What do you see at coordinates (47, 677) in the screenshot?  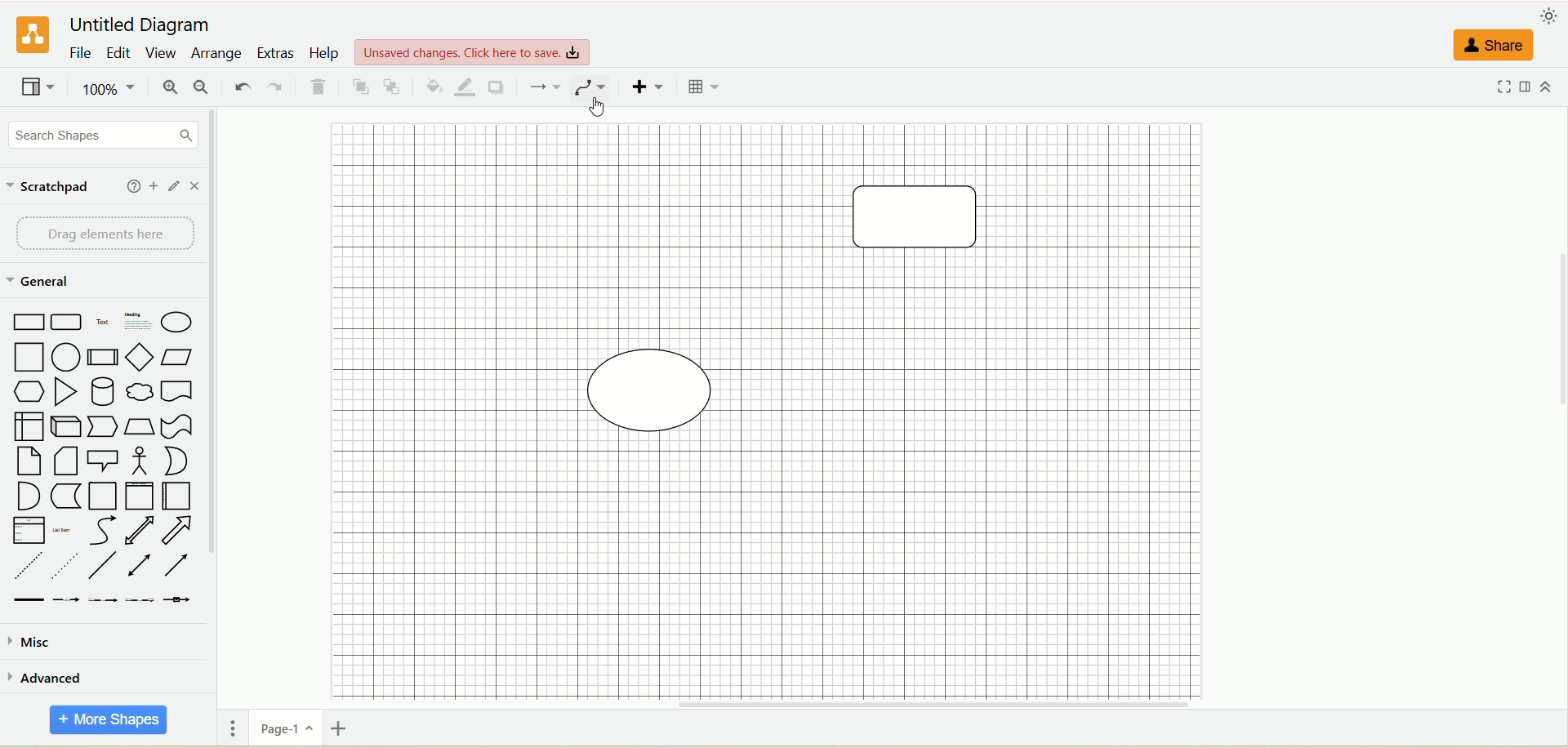 I see `advanced` at bounding box center [47, 677].